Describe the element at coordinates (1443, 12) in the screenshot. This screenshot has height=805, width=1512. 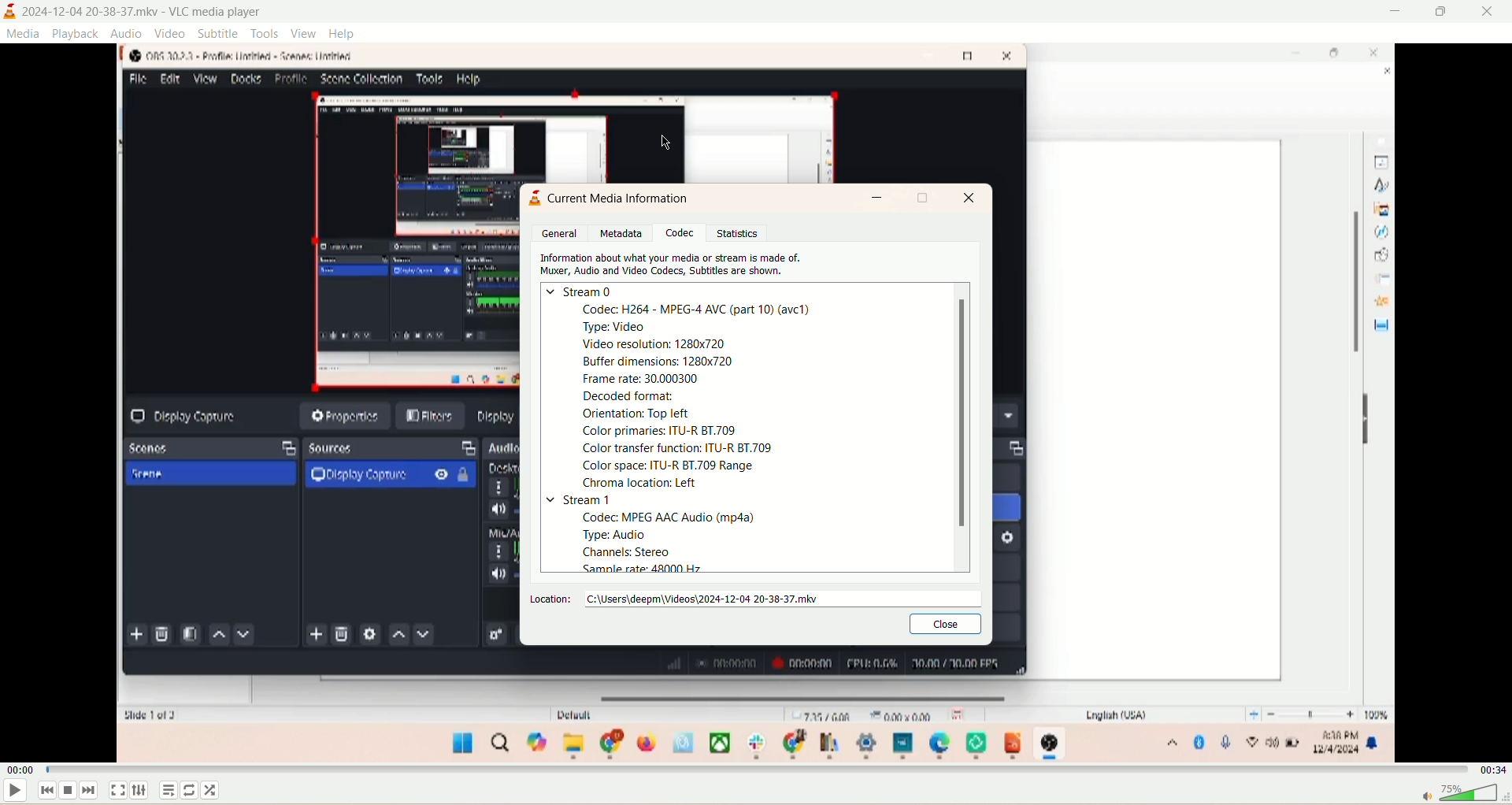
I see `maximize` at that location.